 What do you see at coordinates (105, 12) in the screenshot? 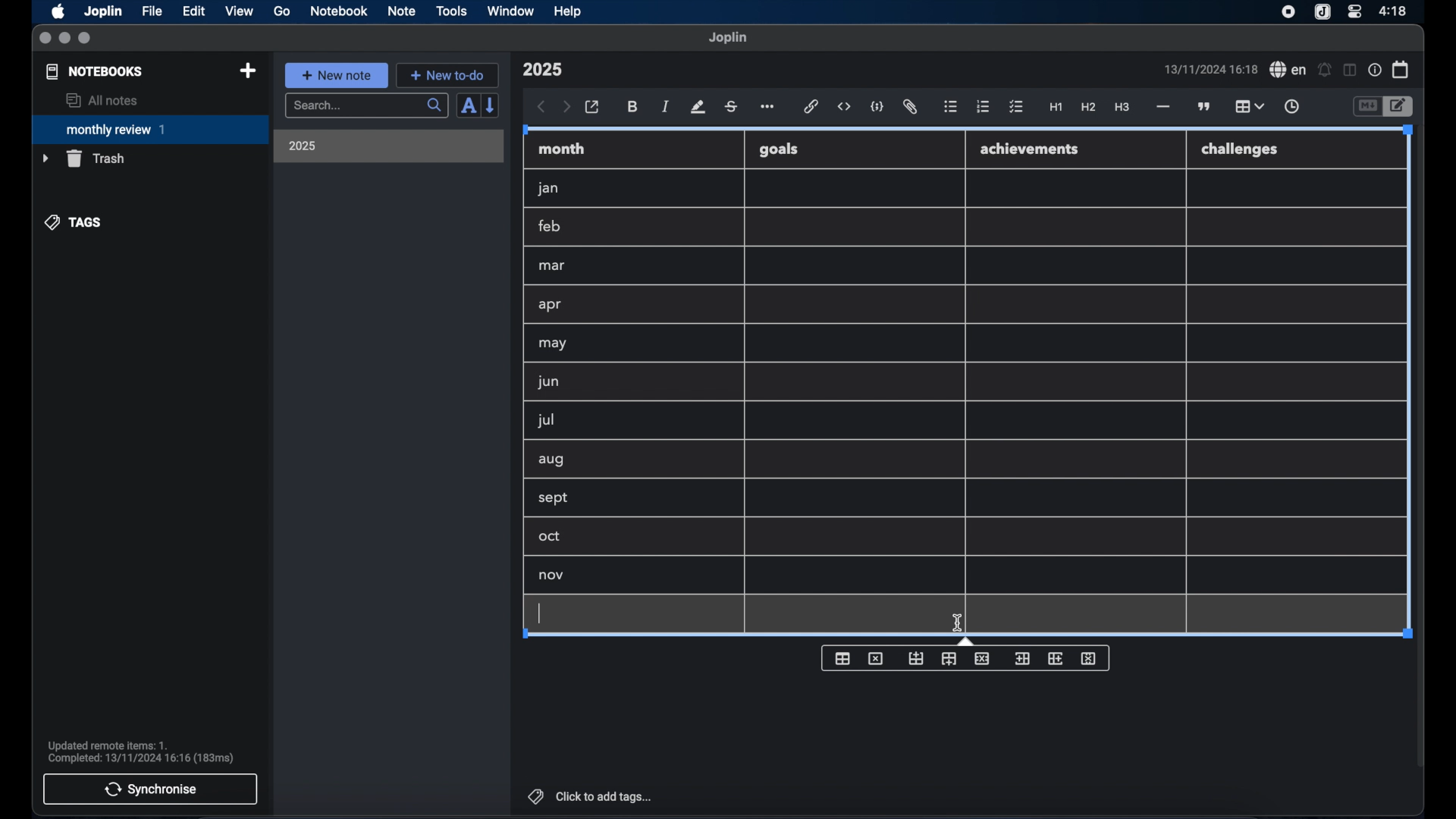
I see `Joplin` at bounding box center [105, 12].